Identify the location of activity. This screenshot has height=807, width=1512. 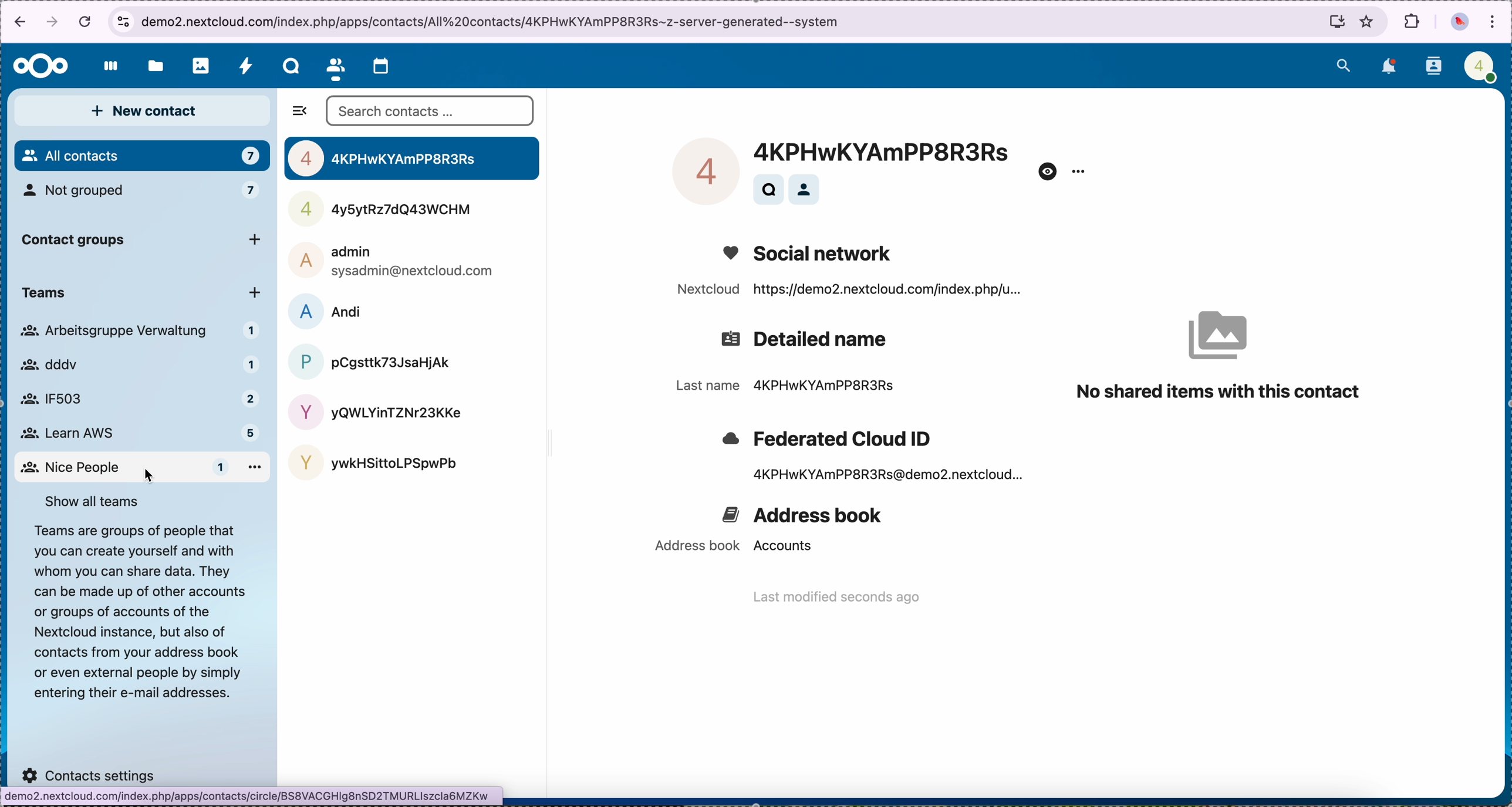
(245, 66).